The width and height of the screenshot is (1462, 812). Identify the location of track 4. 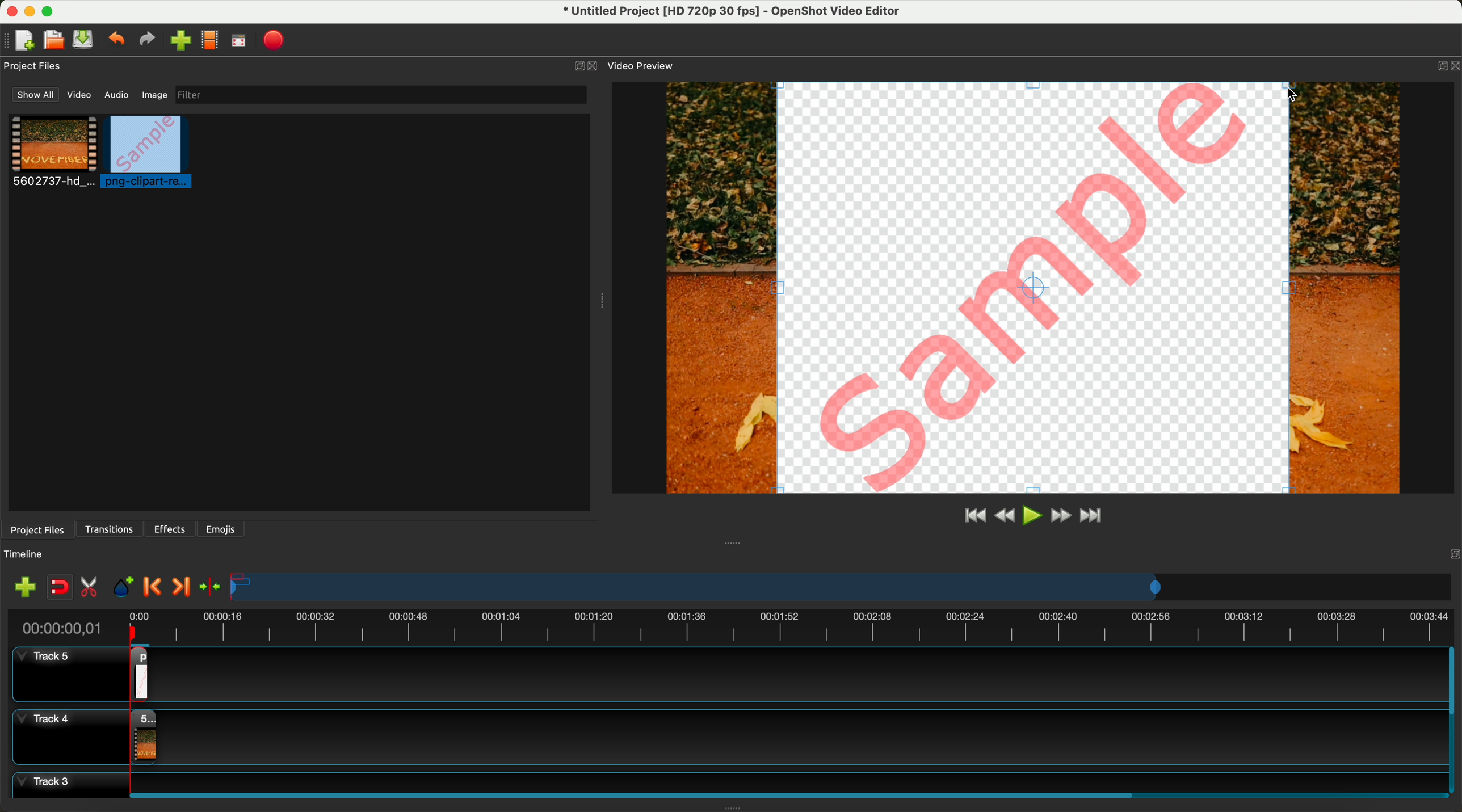
(722, 734).